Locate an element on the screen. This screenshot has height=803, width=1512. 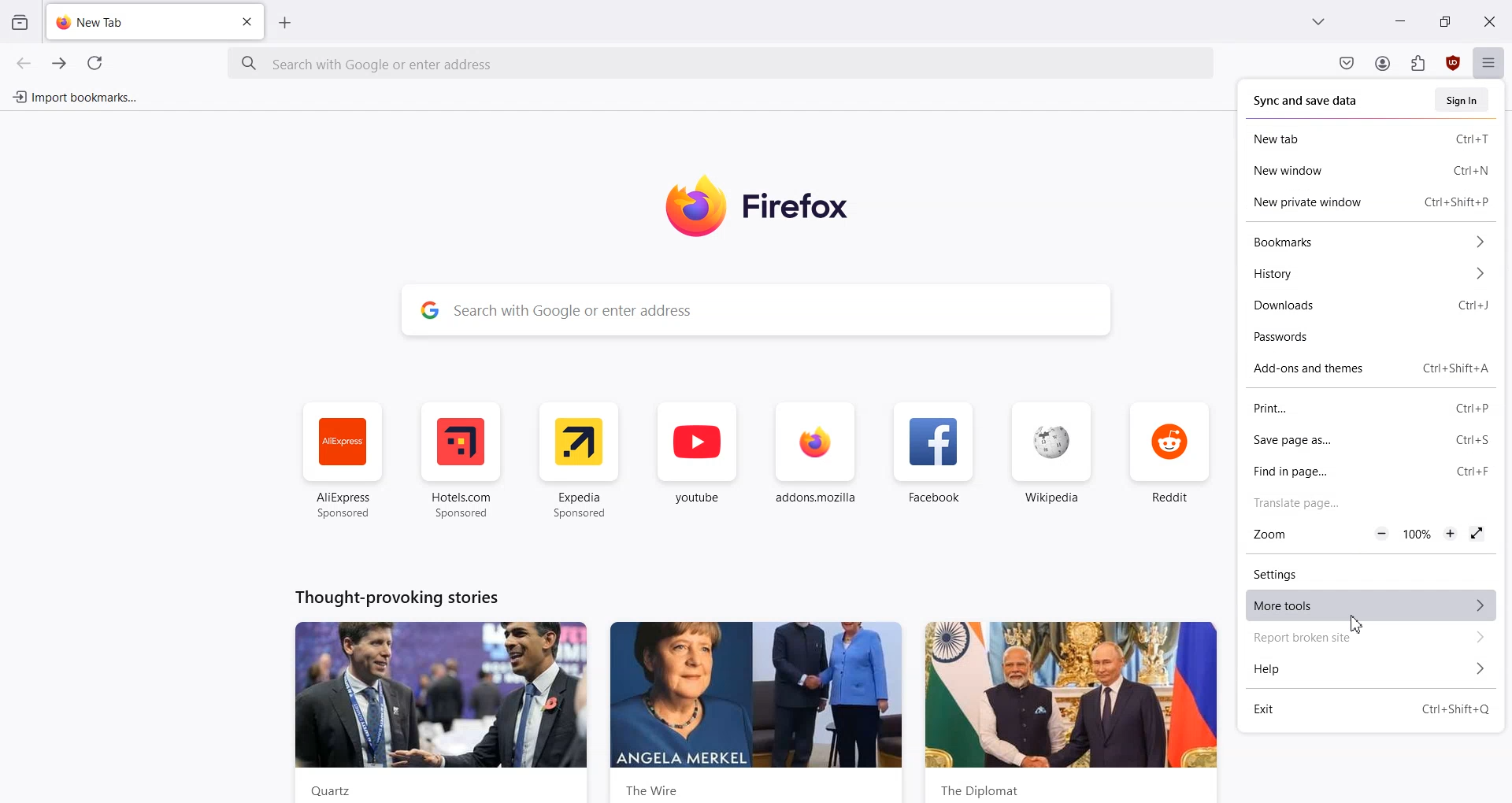
Search Bar is located at coordinates (754, 307).